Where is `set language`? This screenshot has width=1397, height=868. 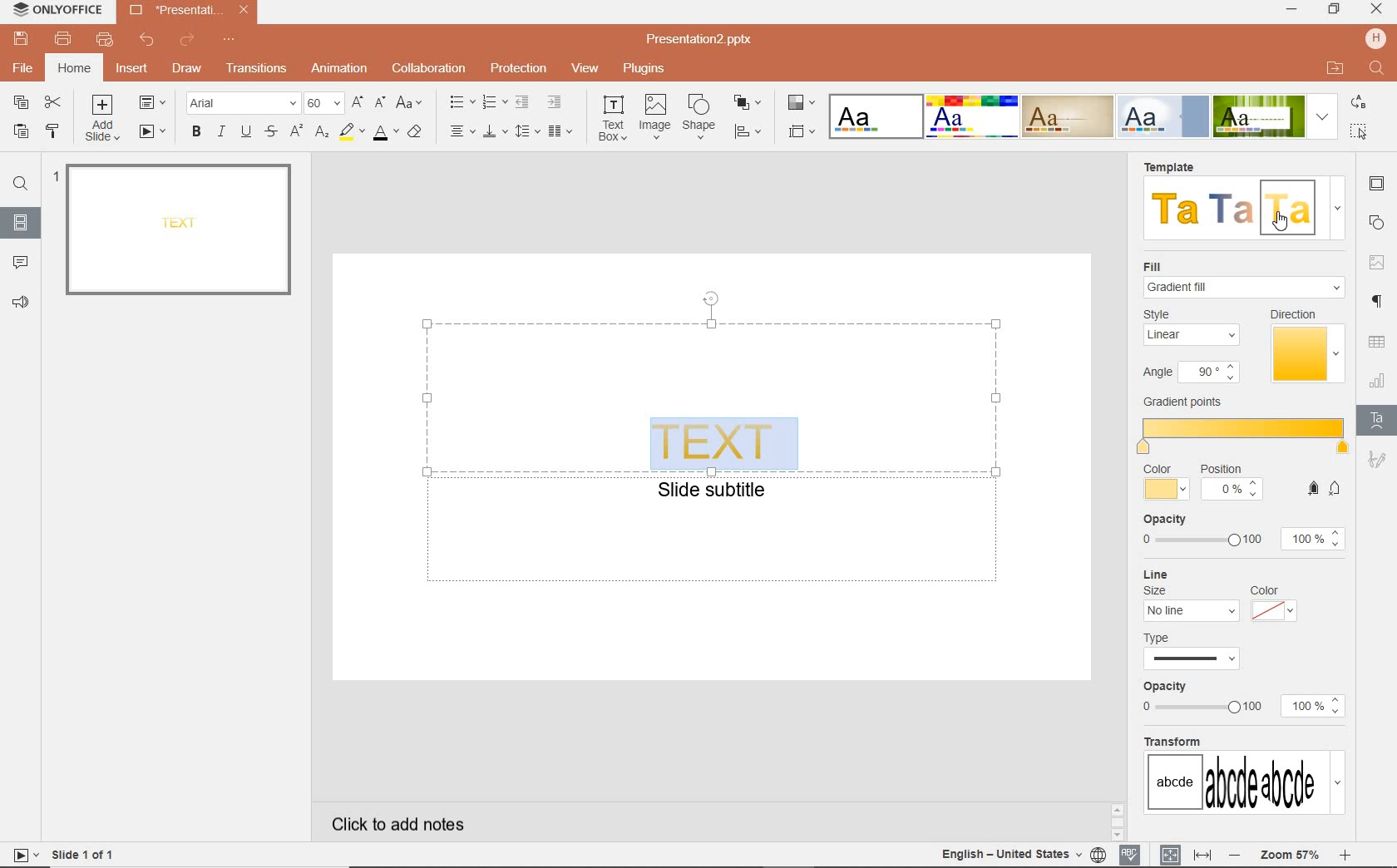 set language is located at coordinates (1098, 853).